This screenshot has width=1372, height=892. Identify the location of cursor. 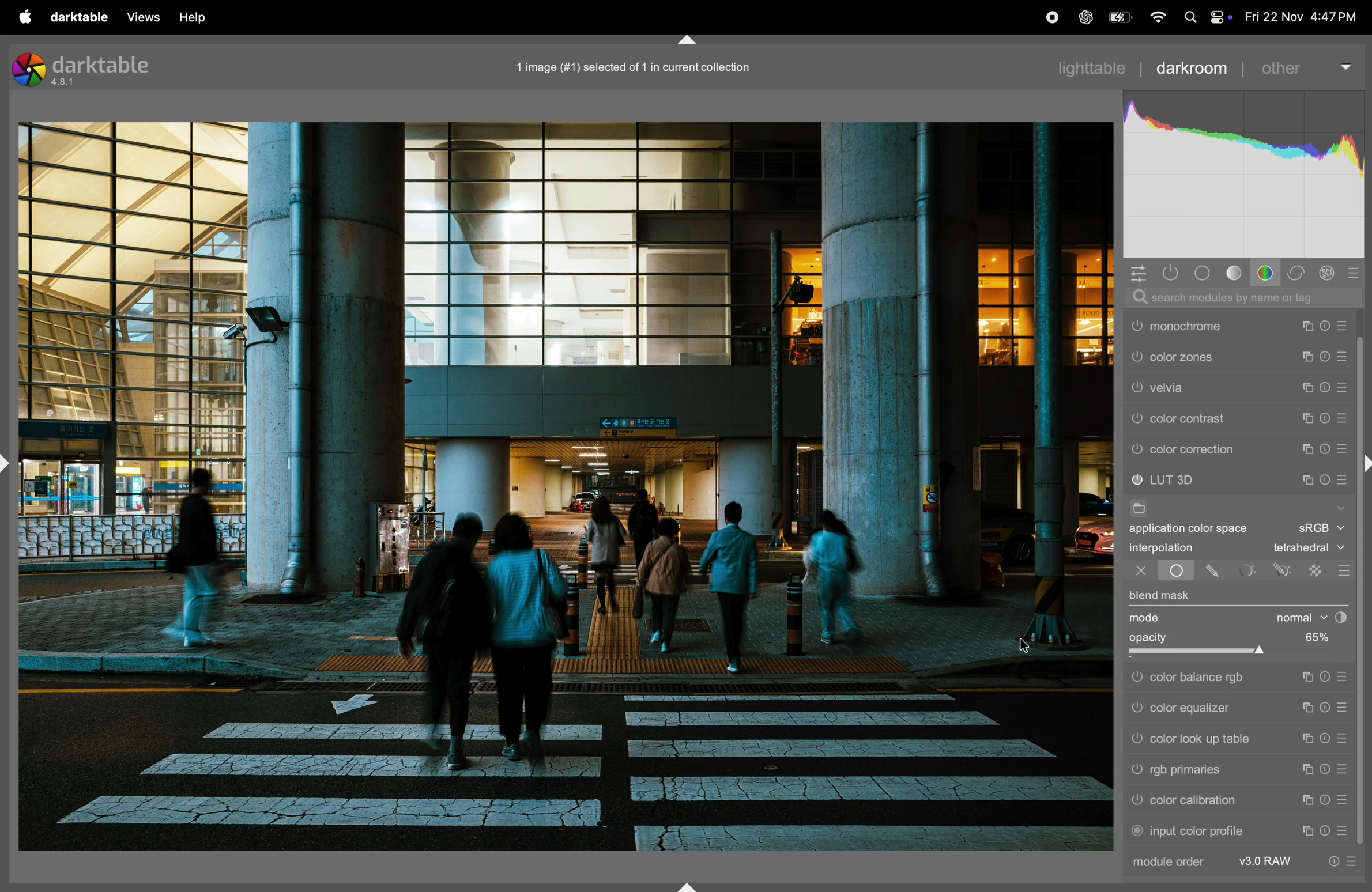
(1030, 647).